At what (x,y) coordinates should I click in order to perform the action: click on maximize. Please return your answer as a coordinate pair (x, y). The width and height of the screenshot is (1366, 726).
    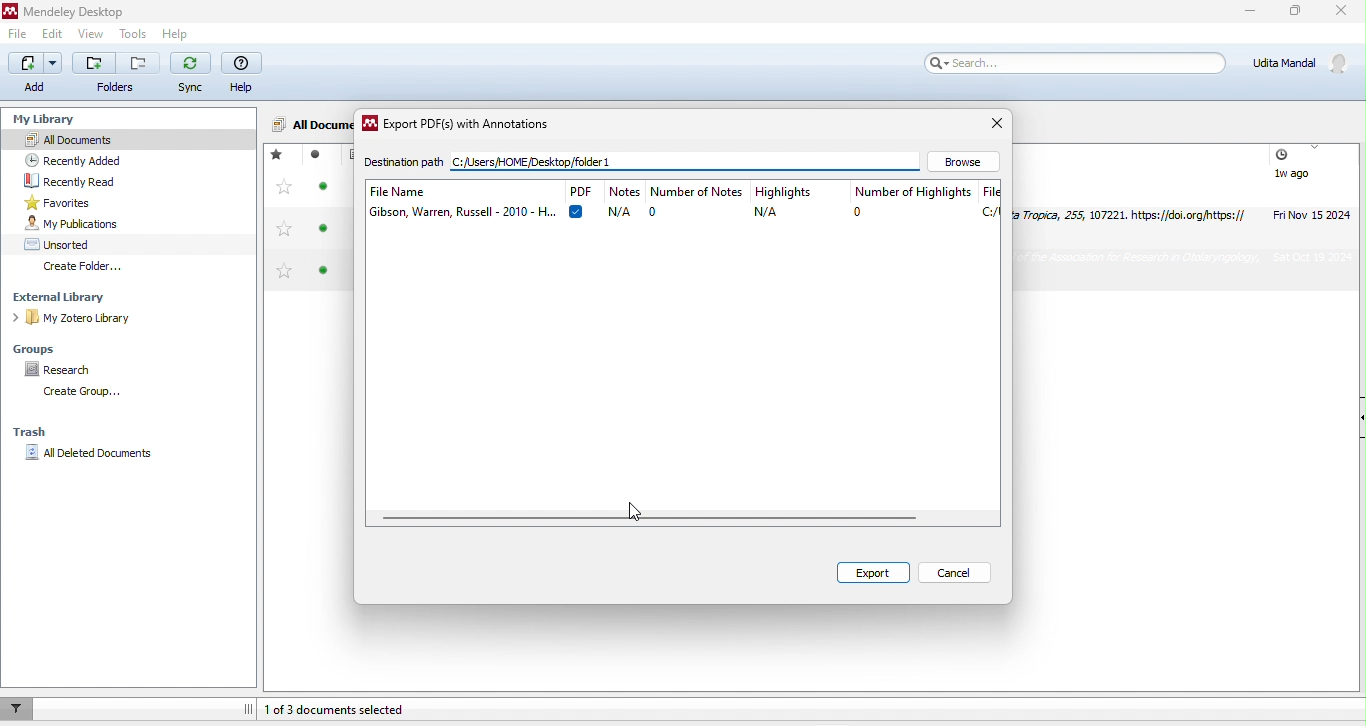
    Looking at the image, I should click on (1297, 10).